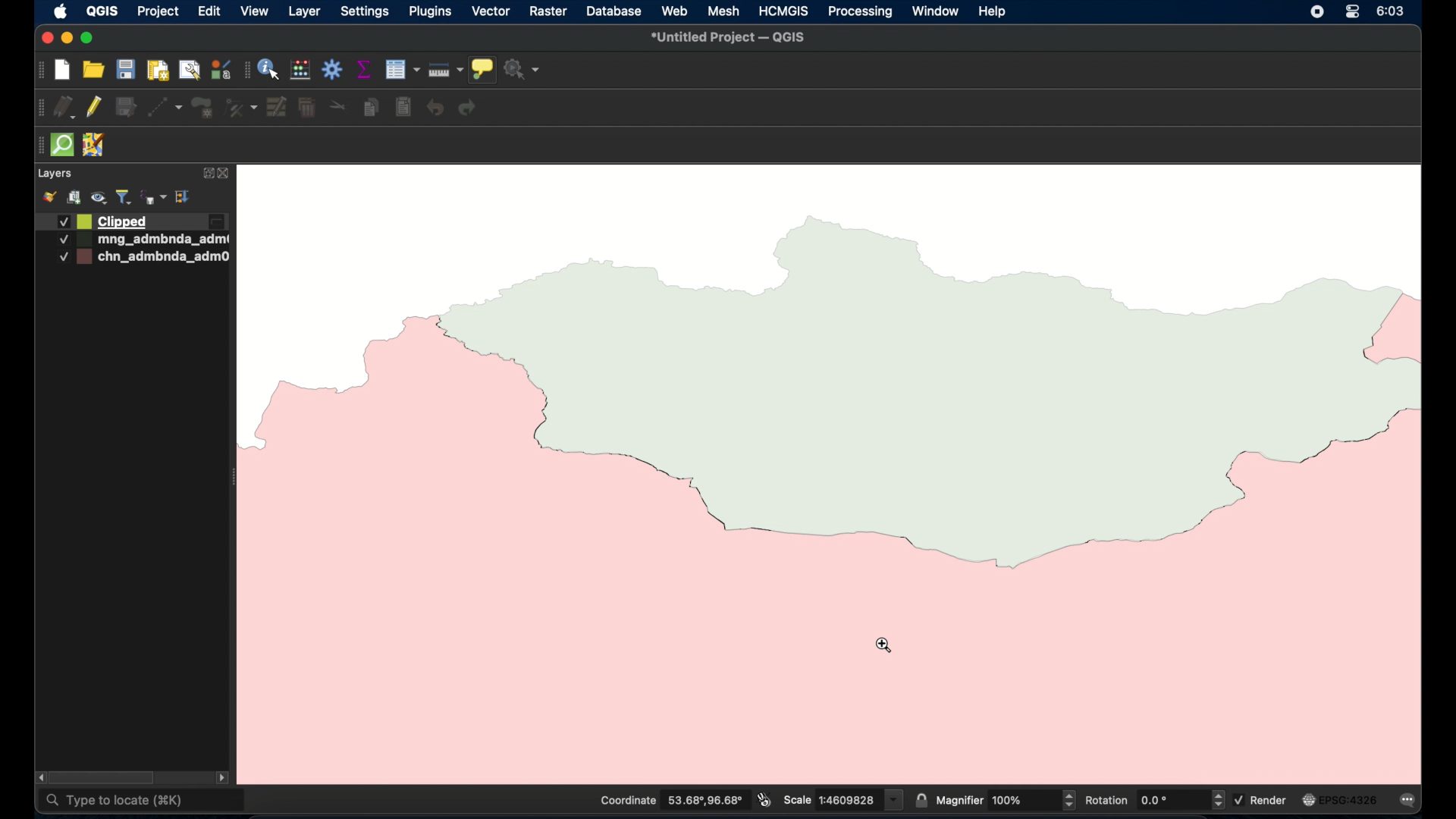 Image resolution: width=1456 pixels, height=819 pixels. Describe the element at coordinates (246, 71) in the screenshot. I see `attributes toolbar` at that location.